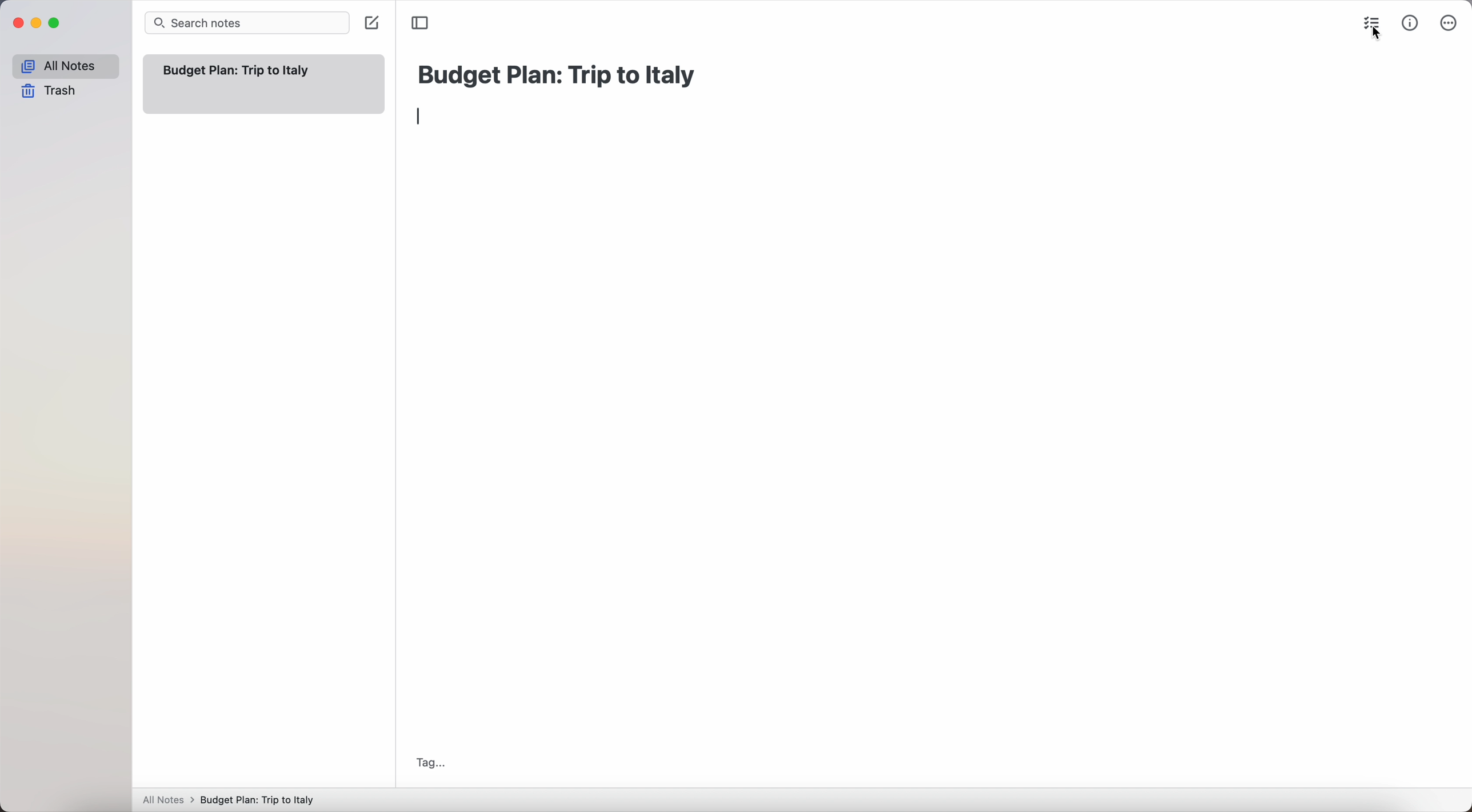  Describe the element at coordinates (234, 799) in the screenshot. I see `All notes > Budget Plan: Trip to Italy` at that location.